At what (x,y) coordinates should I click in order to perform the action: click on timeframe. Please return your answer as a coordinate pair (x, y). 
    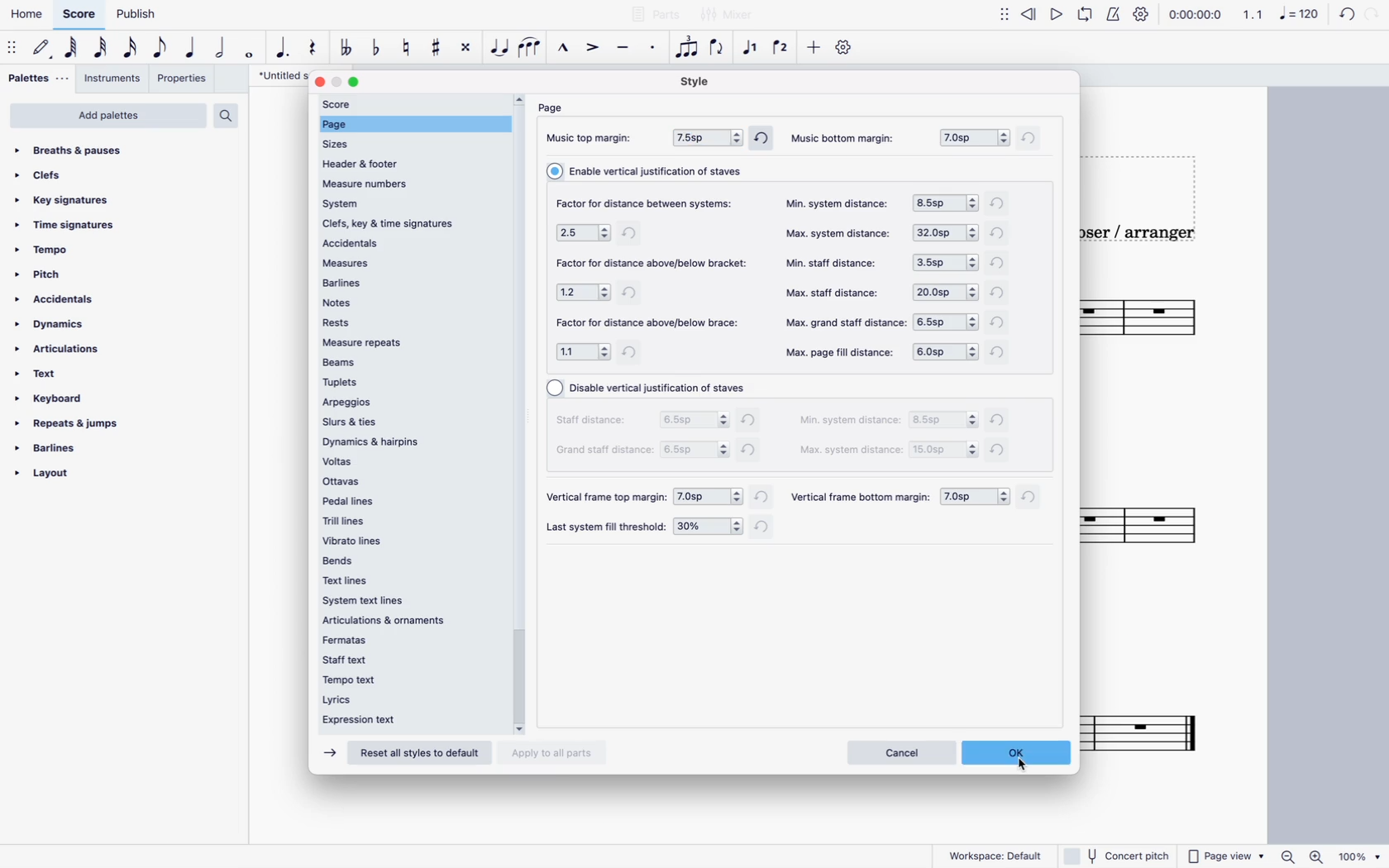
    Looking at the image, I should click on (1200, 16).